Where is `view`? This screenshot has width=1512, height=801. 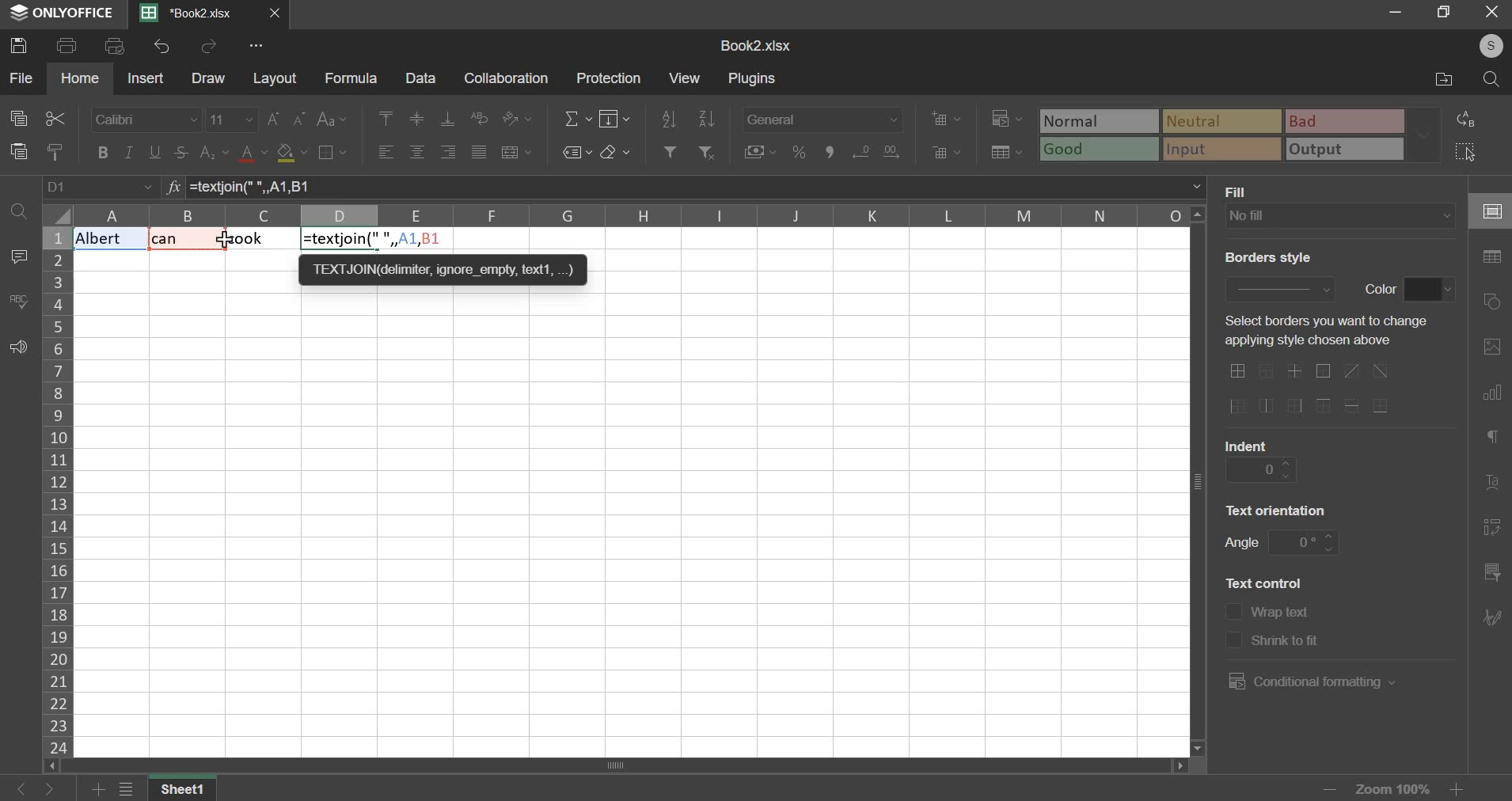
view is located at coordinates (684, 77).